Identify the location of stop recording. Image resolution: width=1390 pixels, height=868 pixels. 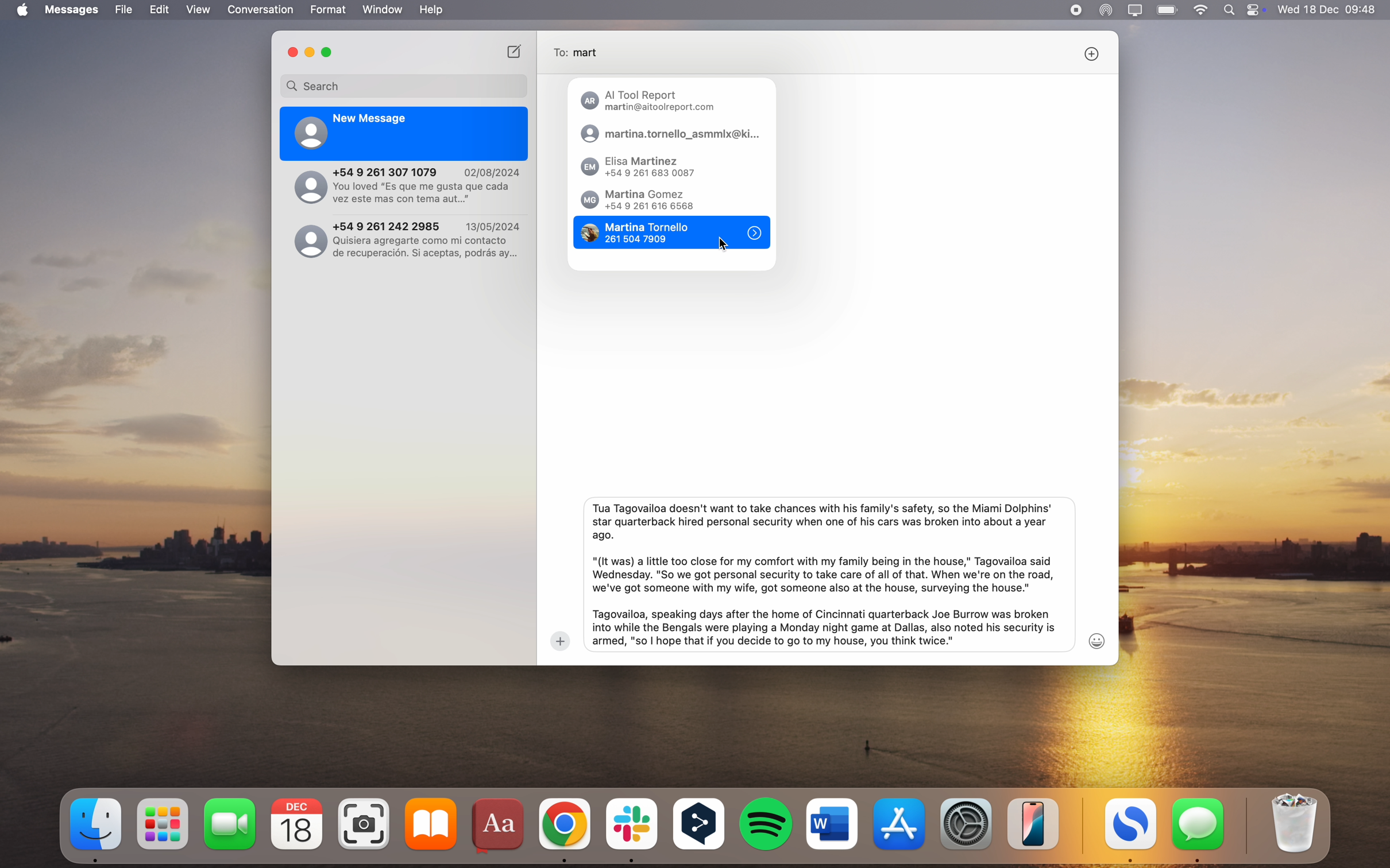
(1075, 10).